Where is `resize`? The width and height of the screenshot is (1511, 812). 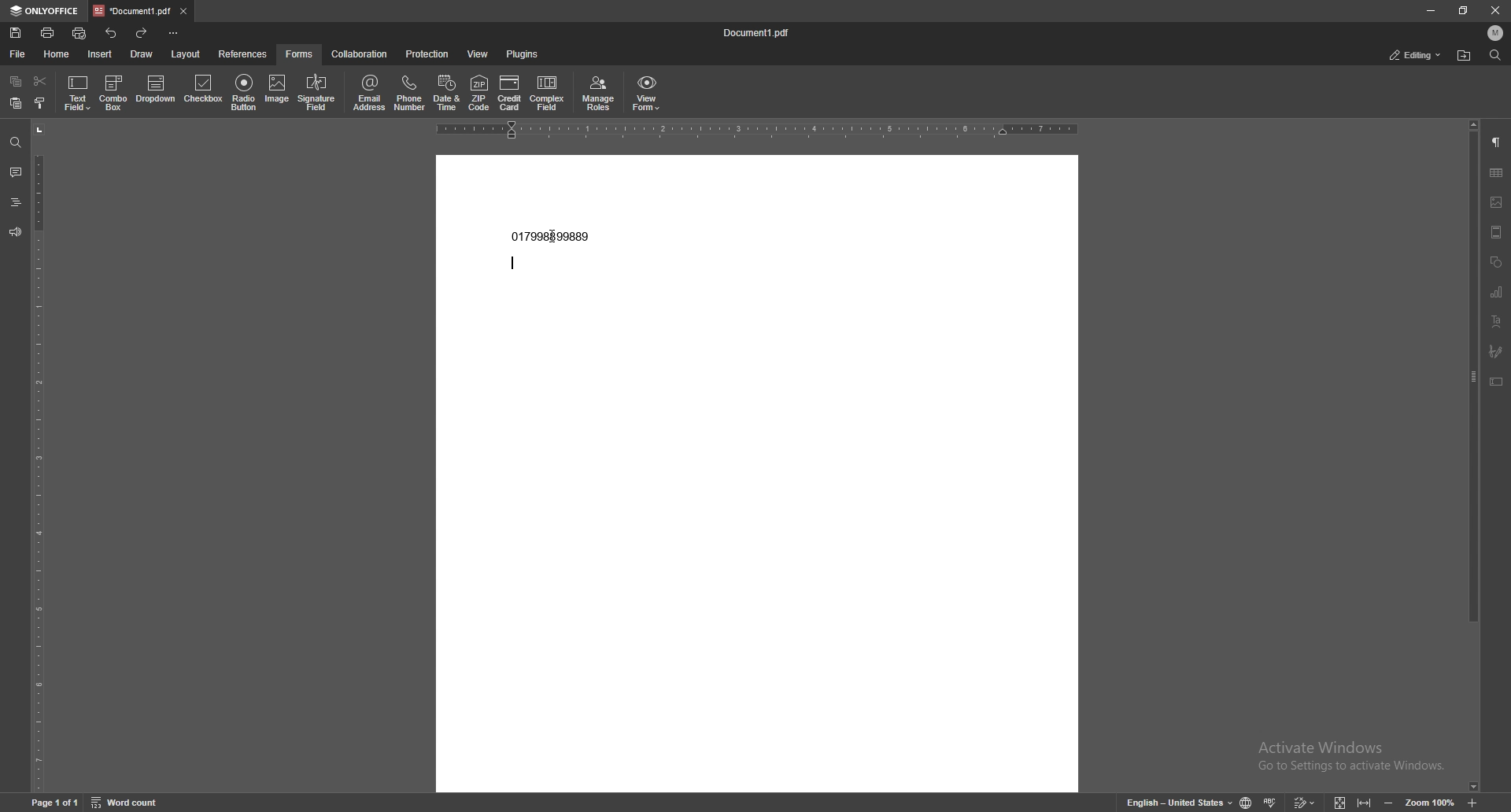 resize is located at coordinates (1465, 11).